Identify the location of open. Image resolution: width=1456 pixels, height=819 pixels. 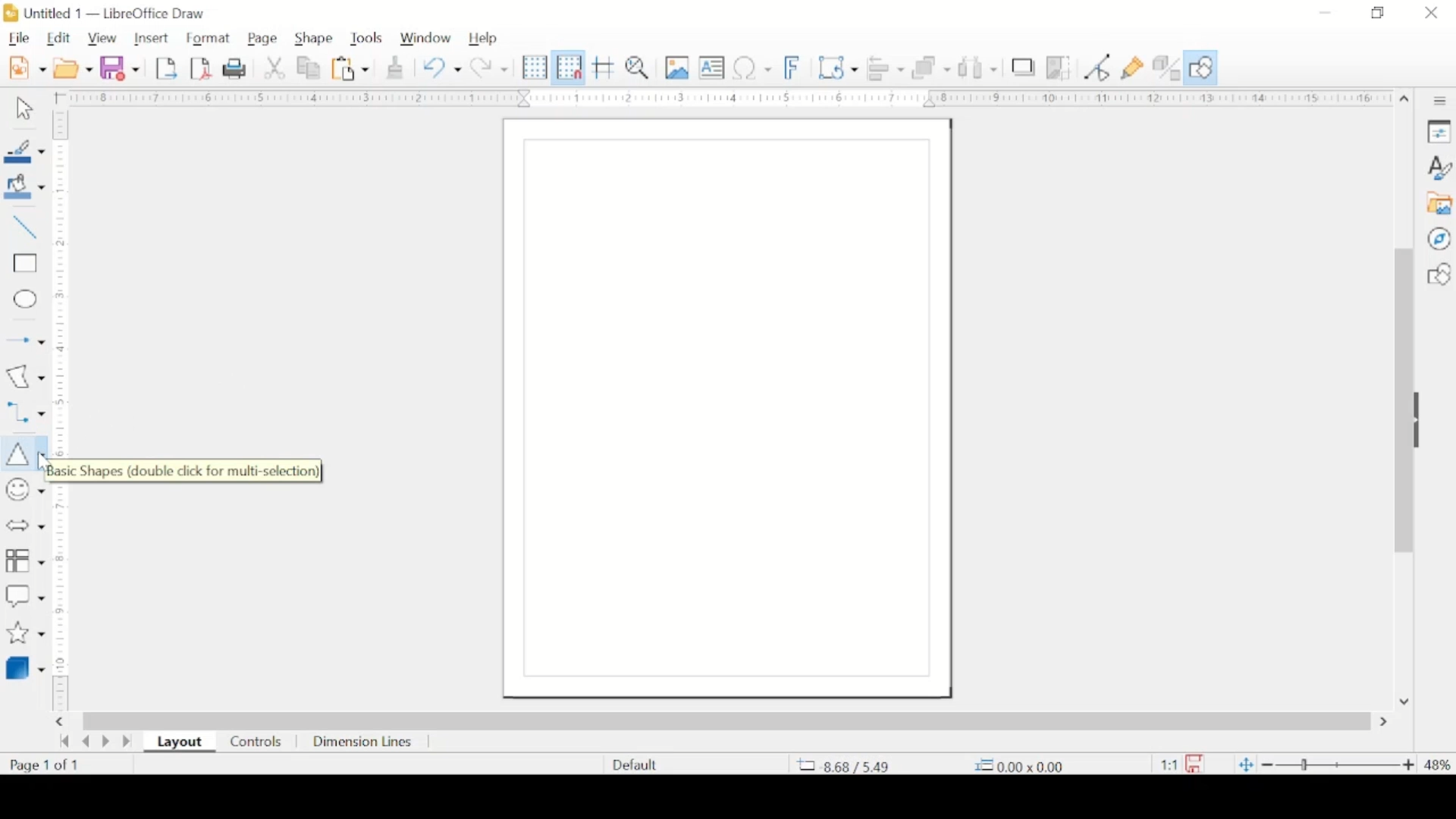
(73, 68).